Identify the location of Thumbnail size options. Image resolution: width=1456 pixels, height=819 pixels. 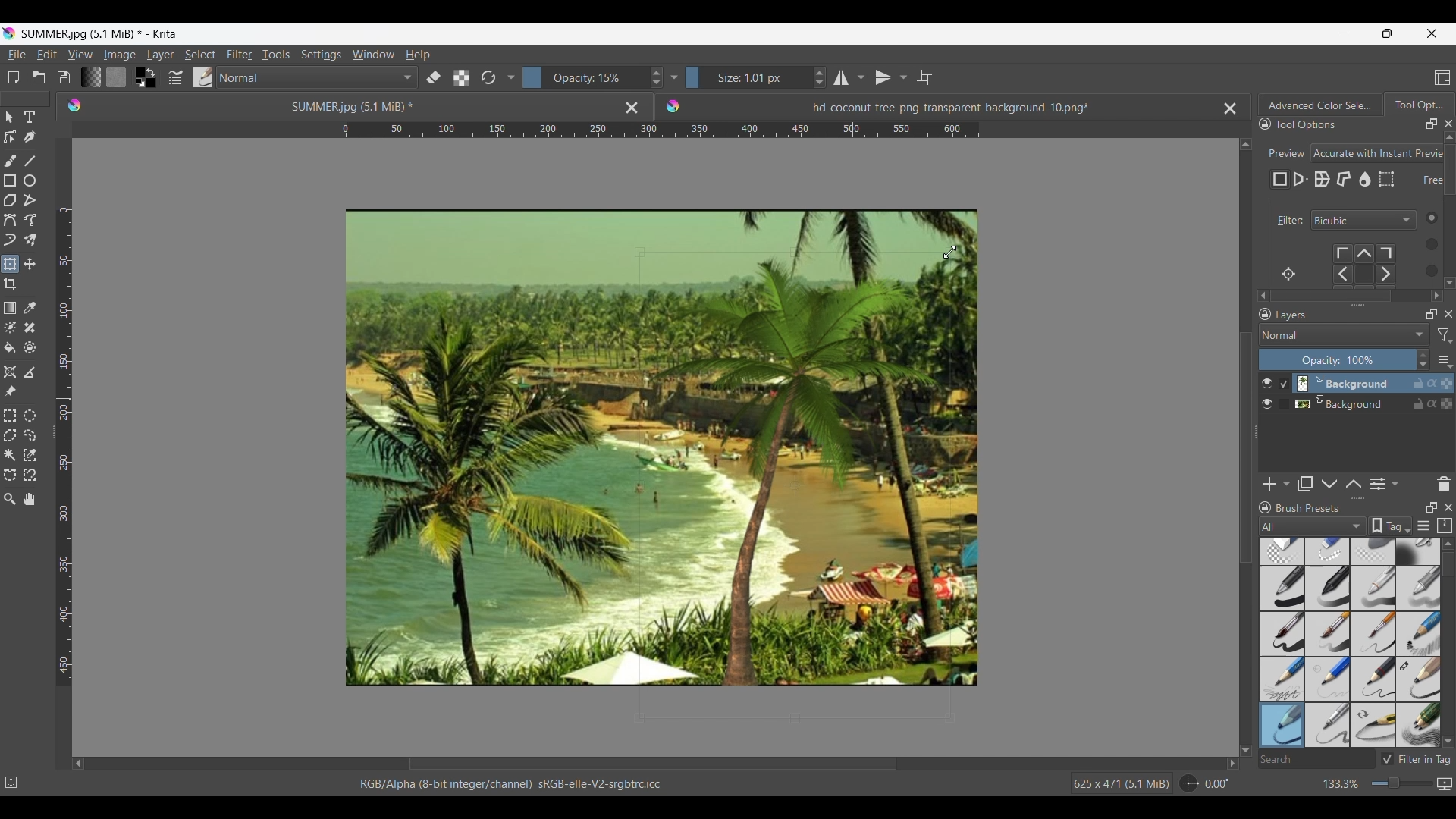
(1445, 359).